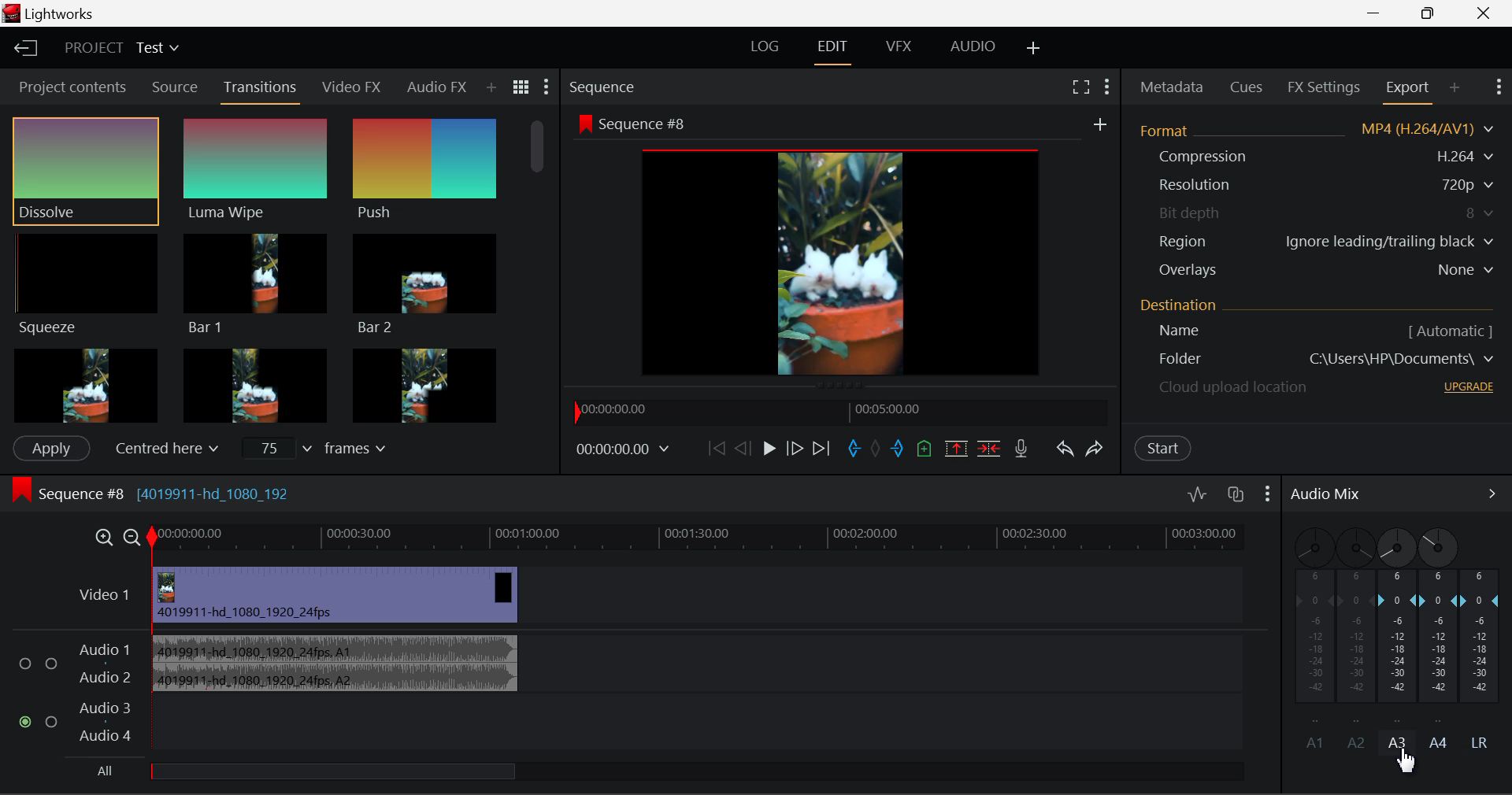 This screenshot has width=1512, height=795. Describe the element at coordinates (23, 47) in the screenshot. I see `Back to Homepage` at that location.